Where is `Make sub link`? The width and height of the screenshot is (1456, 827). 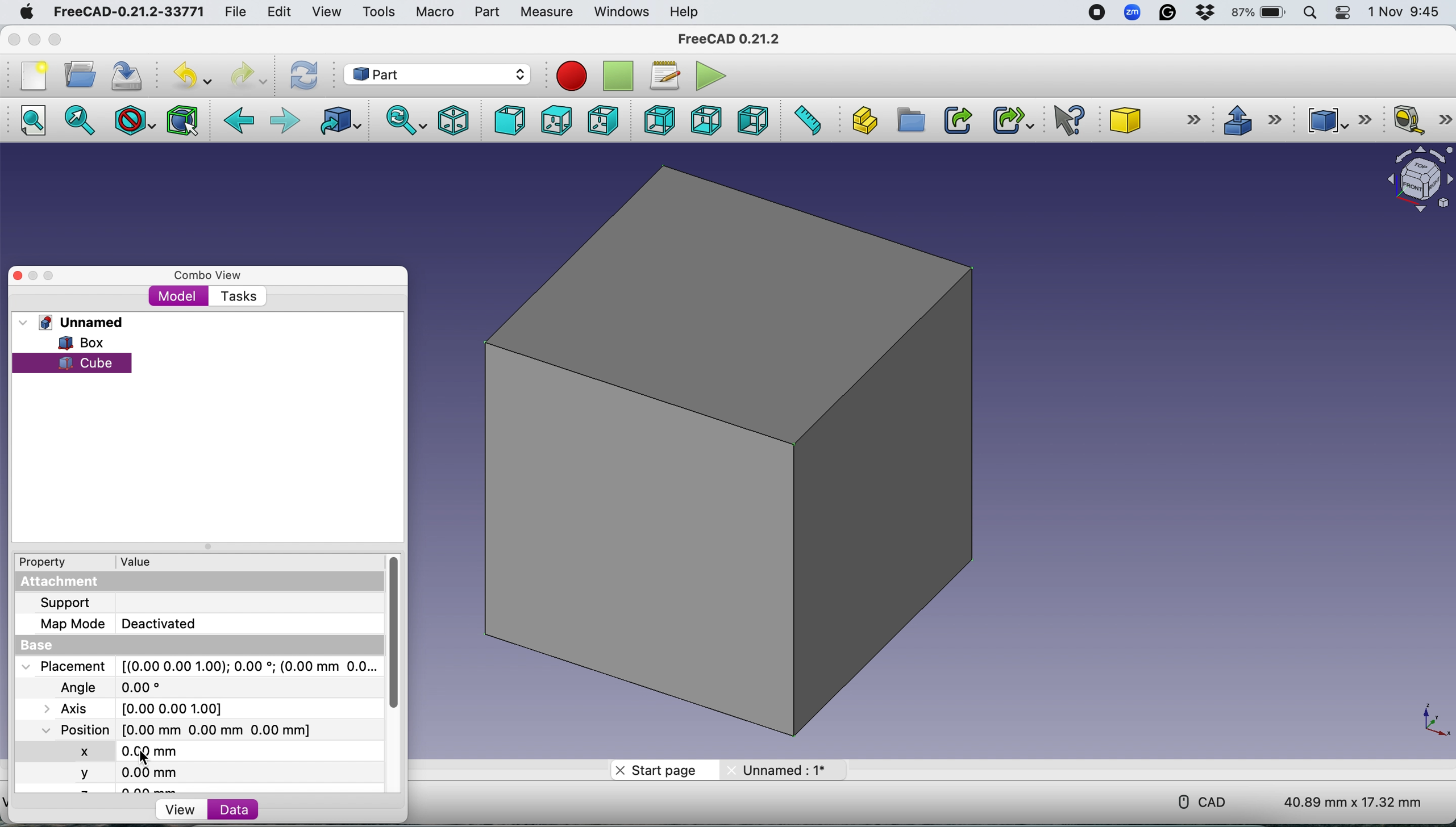
Make sub link is located at coordinates (1008, 118).